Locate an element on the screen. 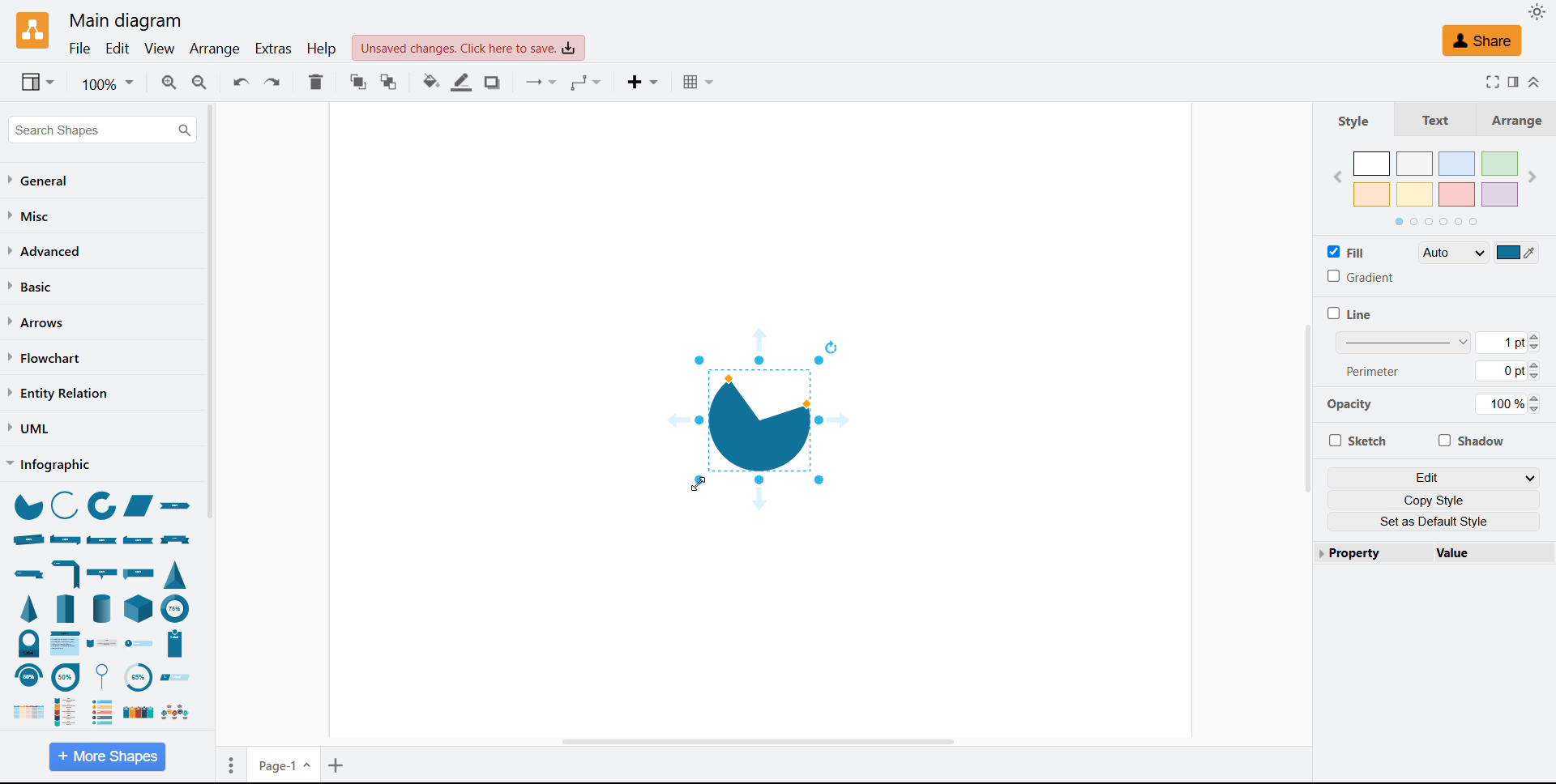 The width and height of the screenshot is (1556, 784). angled entry is located at coordinates (175, 677).